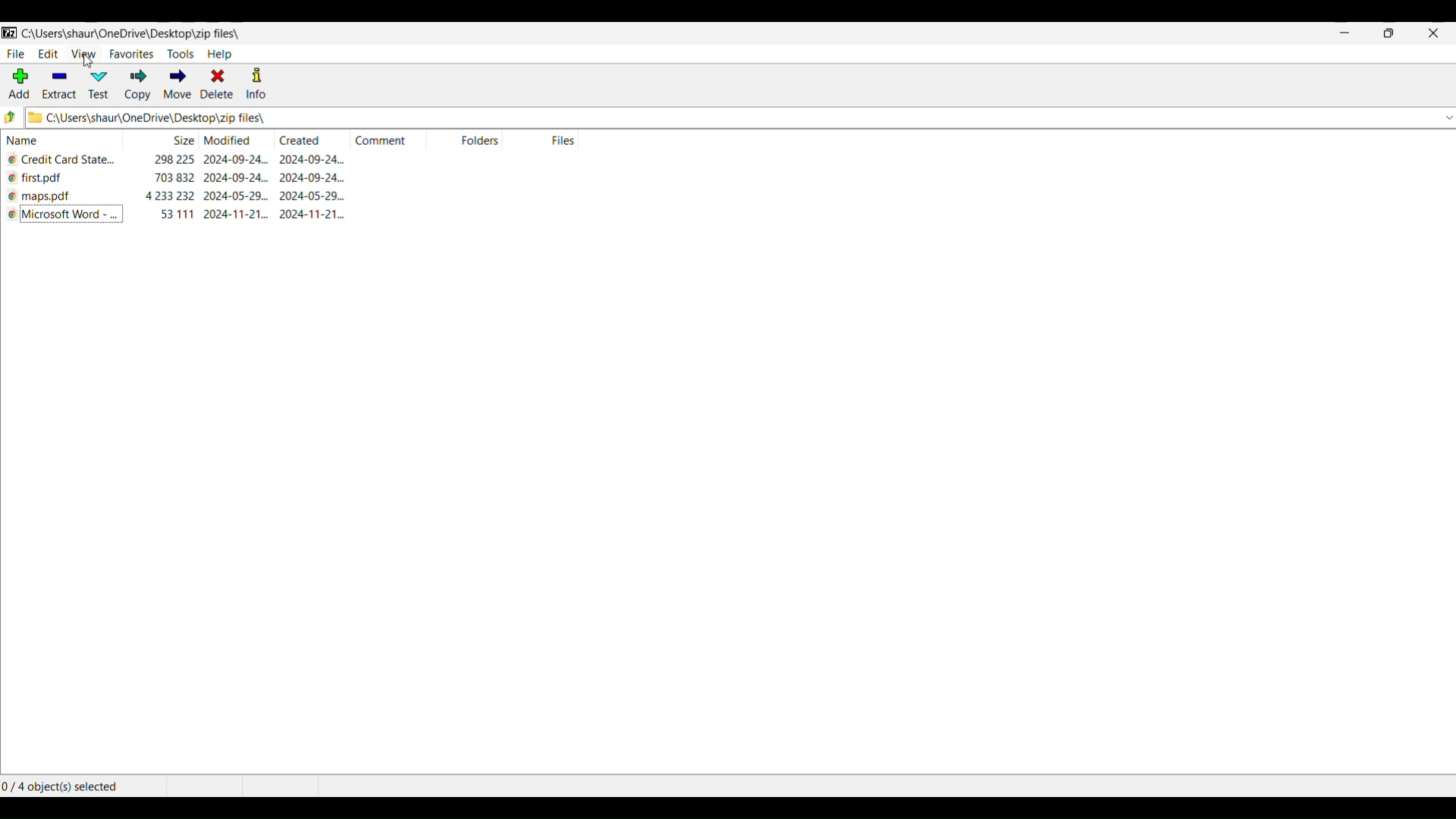 The height and width of the screenshot is (819, 1456). What do you see at coordinates (239, 179) in the screenshot?
I see `modification date` at bounding box center [239, 179].